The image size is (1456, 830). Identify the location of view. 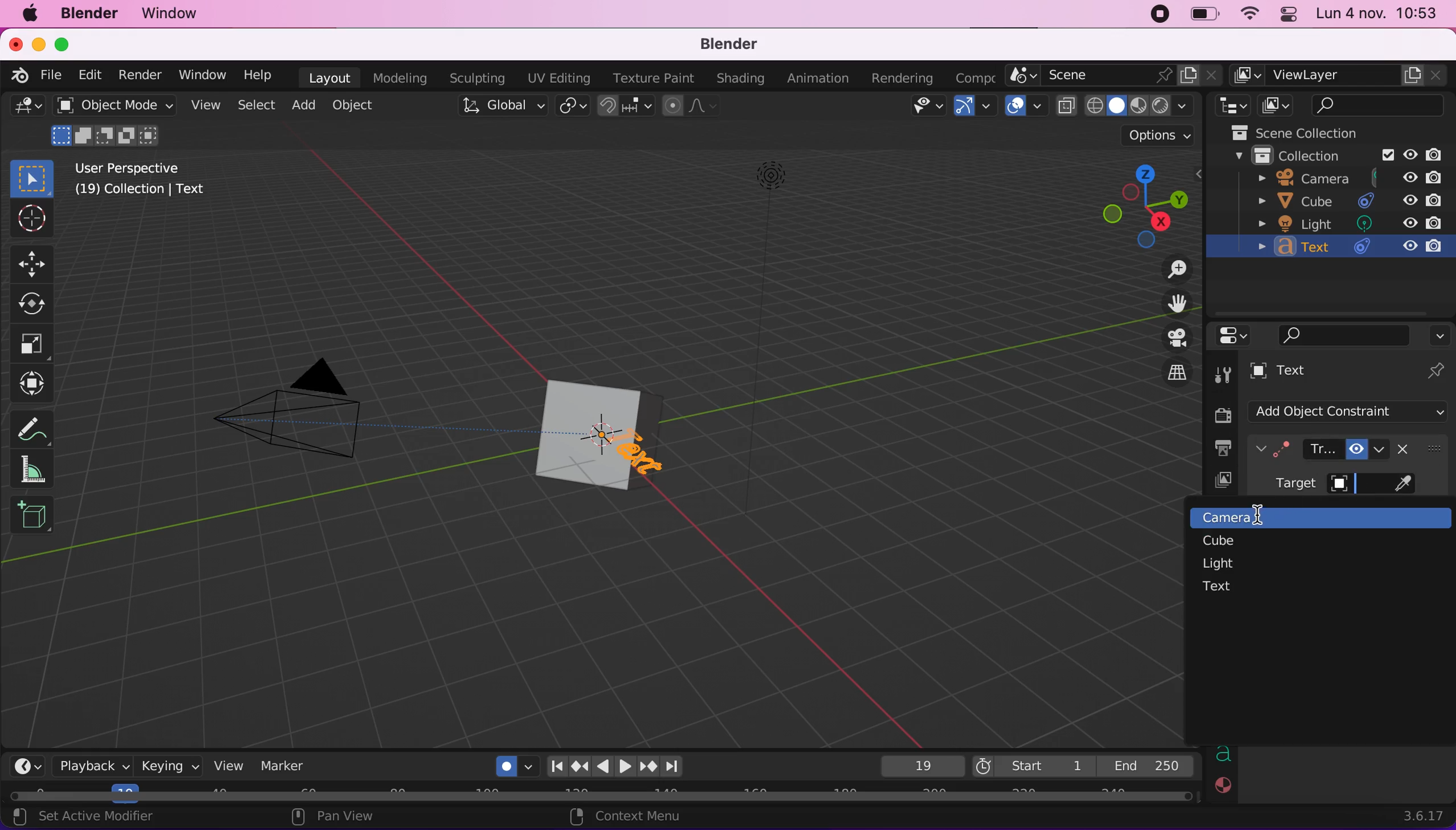
(227, 765).